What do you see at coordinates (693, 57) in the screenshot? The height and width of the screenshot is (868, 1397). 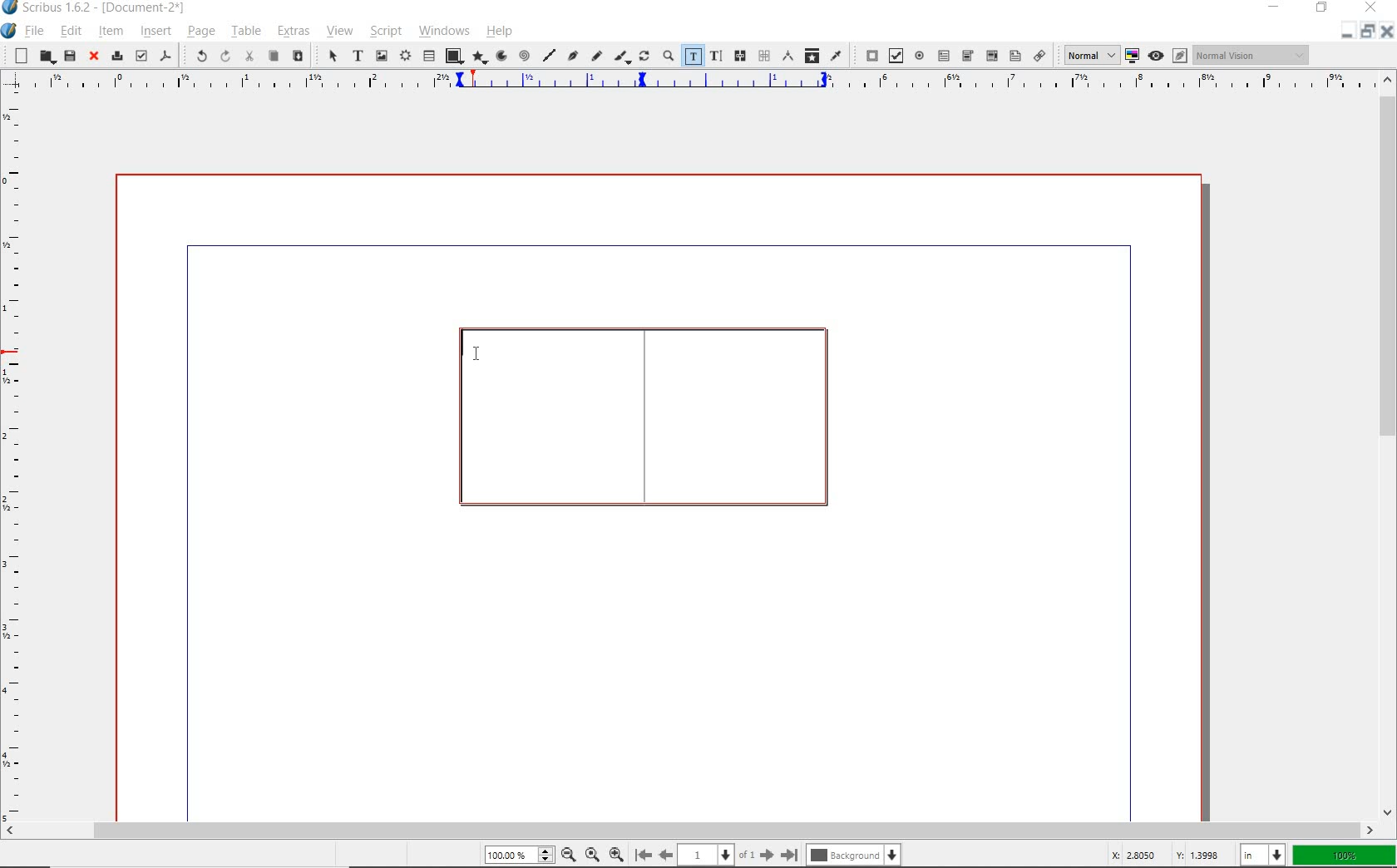 I see `edit contents of frame` at bounding box center [693, 57].